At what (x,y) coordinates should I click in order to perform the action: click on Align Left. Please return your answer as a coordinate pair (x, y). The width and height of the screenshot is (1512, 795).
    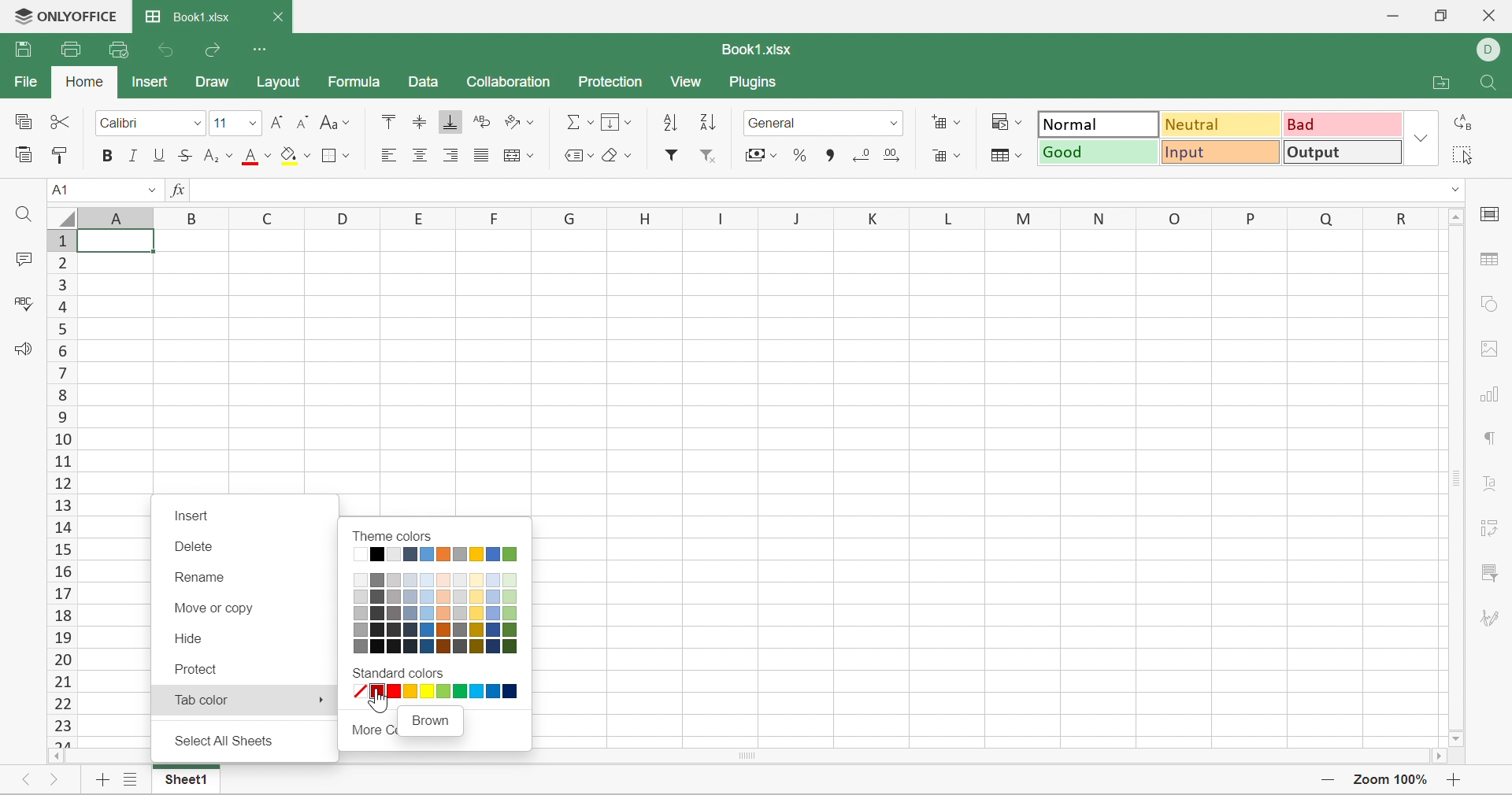
    Looking at the image, I should click on (391, 154).